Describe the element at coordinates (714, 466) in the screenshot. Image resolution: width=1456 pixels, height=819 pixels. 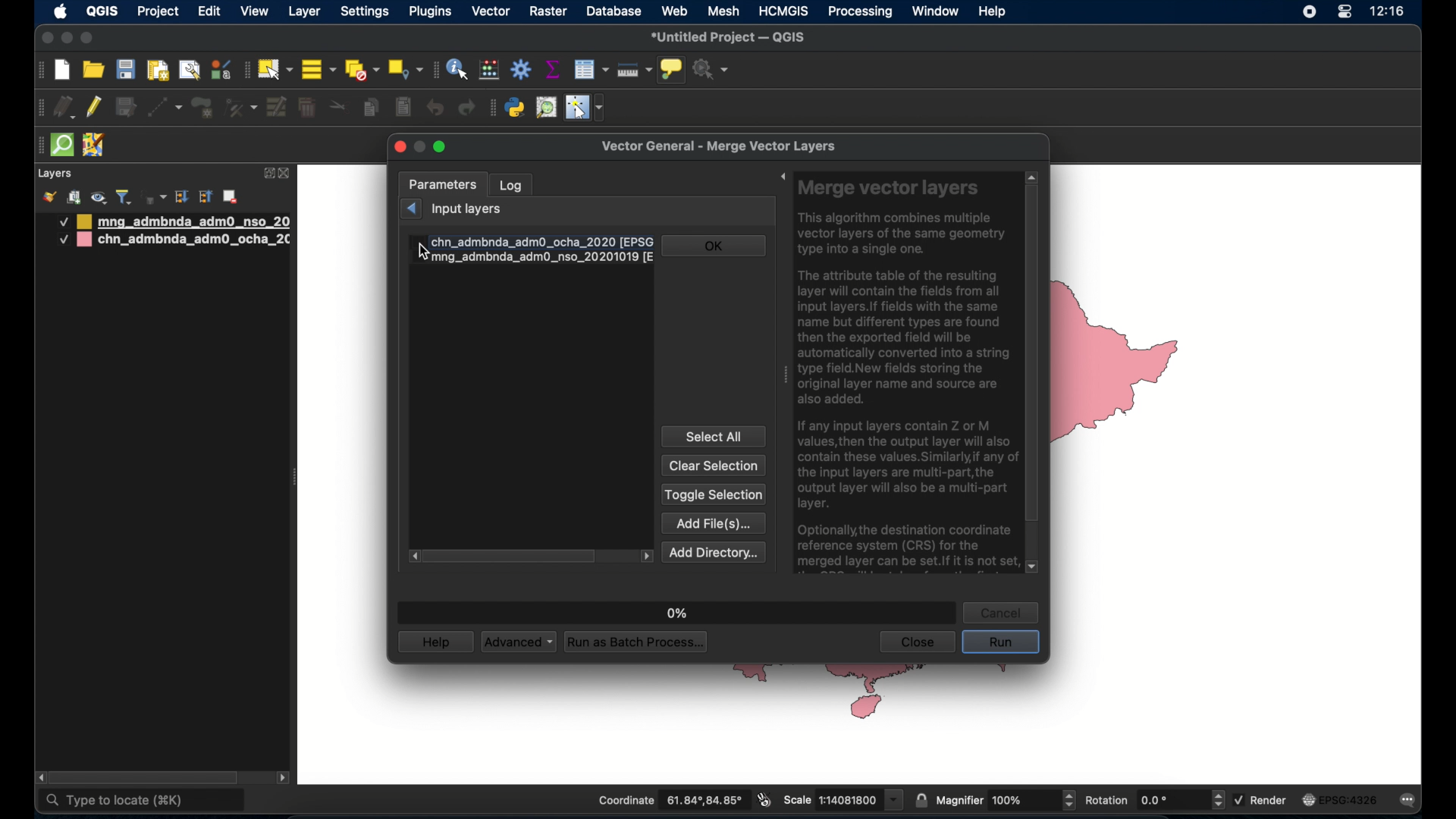
I see `clear selection` at that location.